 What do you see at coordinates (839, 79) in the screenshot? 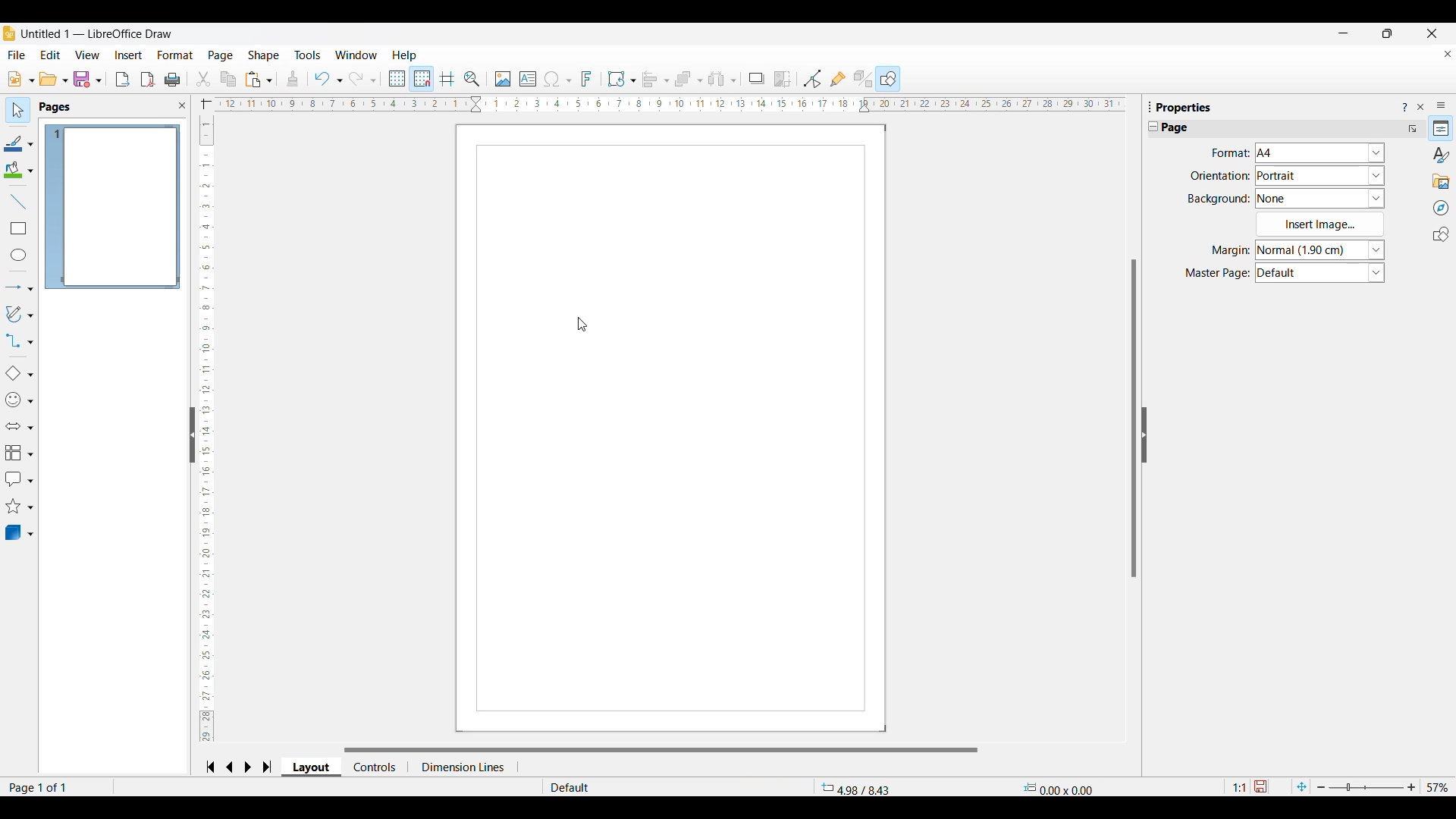
I see `Show gluepoint functions` at bounding box center [839, 79].